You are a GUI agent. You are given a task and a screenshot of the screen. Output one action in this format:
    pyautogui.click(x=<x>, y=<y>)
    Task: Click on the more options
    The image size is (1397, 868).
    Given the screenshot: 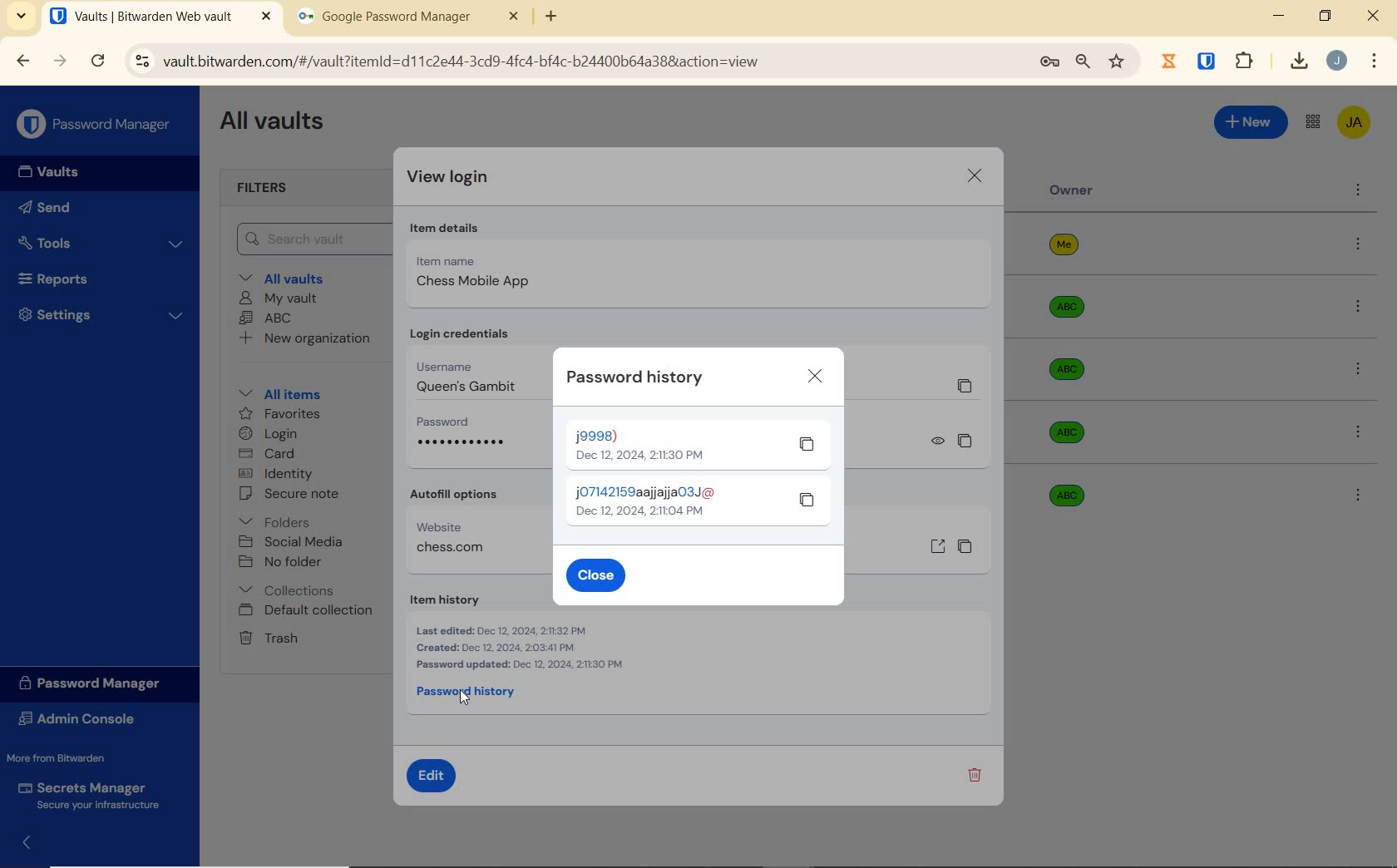 What is the action you would take?
    pyautogui.click(x=1354, y=308)
    